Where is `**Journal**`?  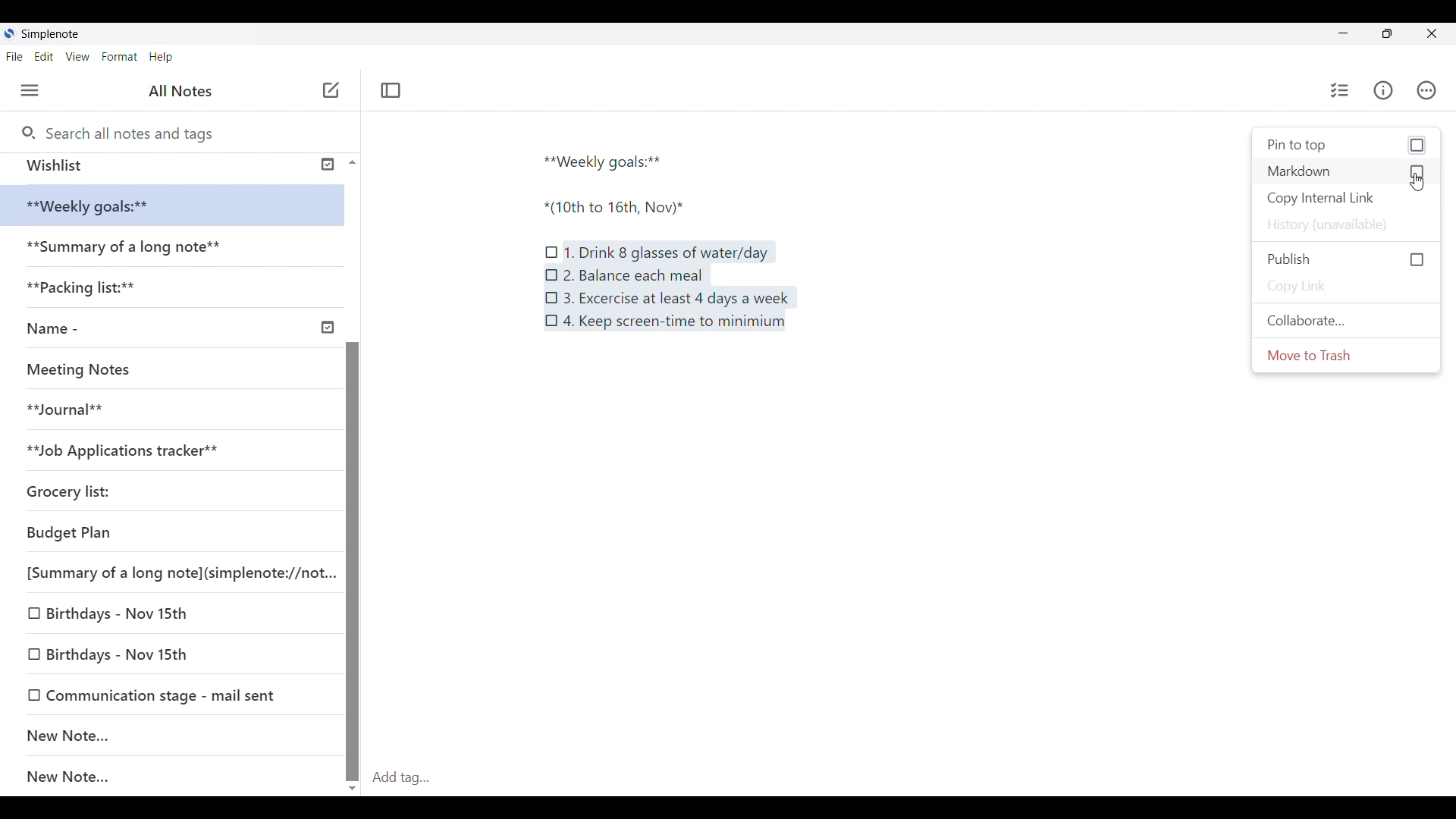 **Journal** is located at coordinates (73, 407).